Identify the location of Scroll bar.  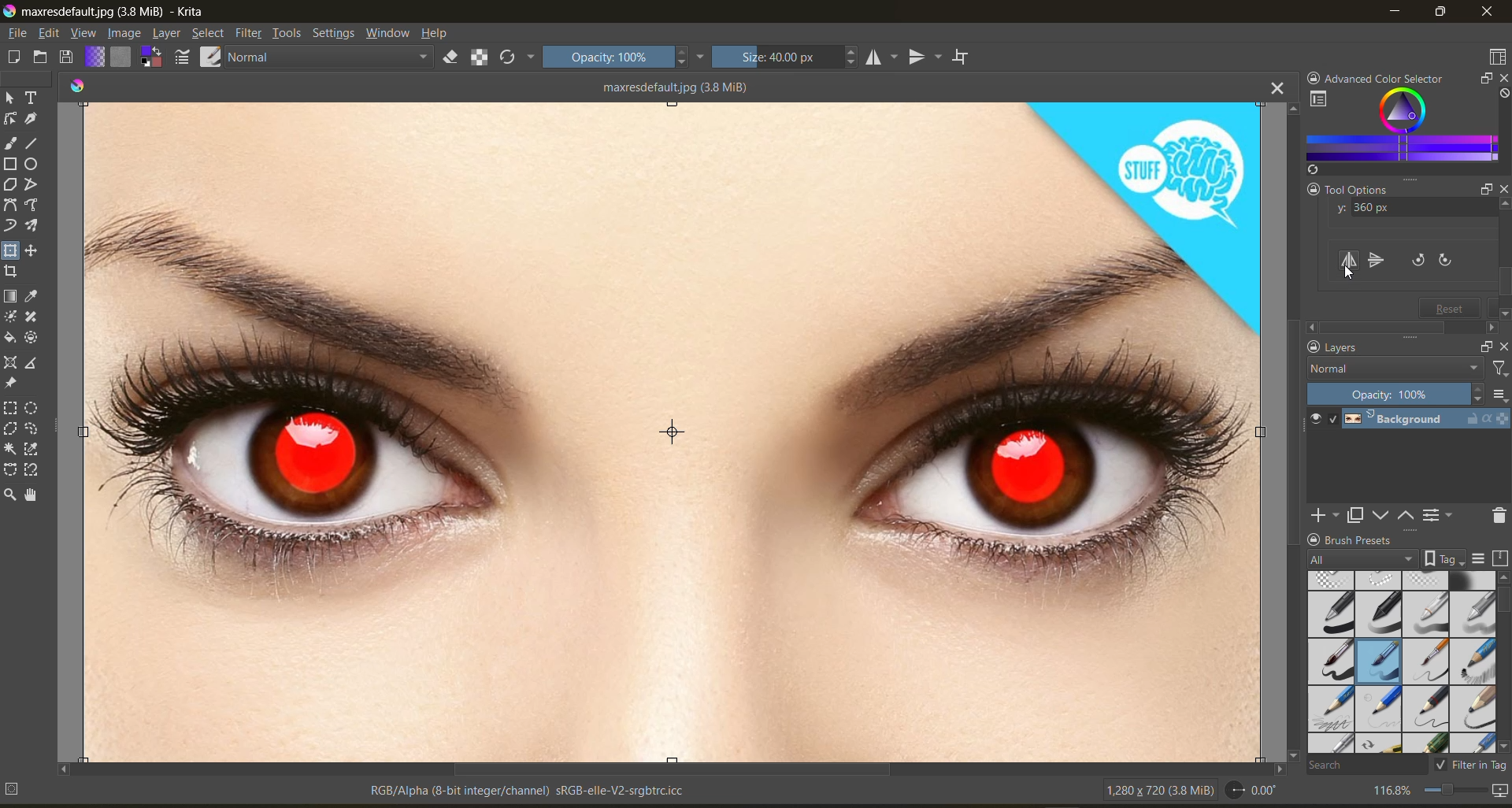
(1506, 263).